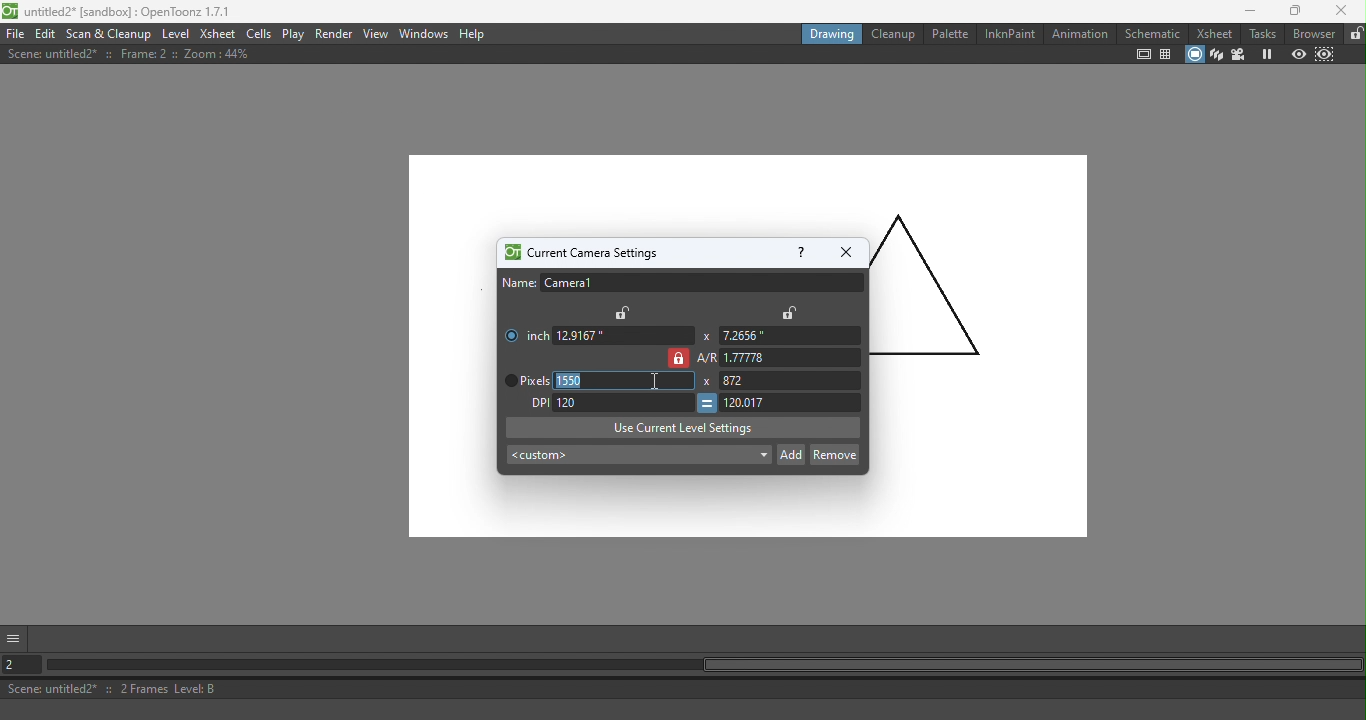  Describe the element at coordinates (579, 253) in the screenshot. I see `Current camera settings` at that location.